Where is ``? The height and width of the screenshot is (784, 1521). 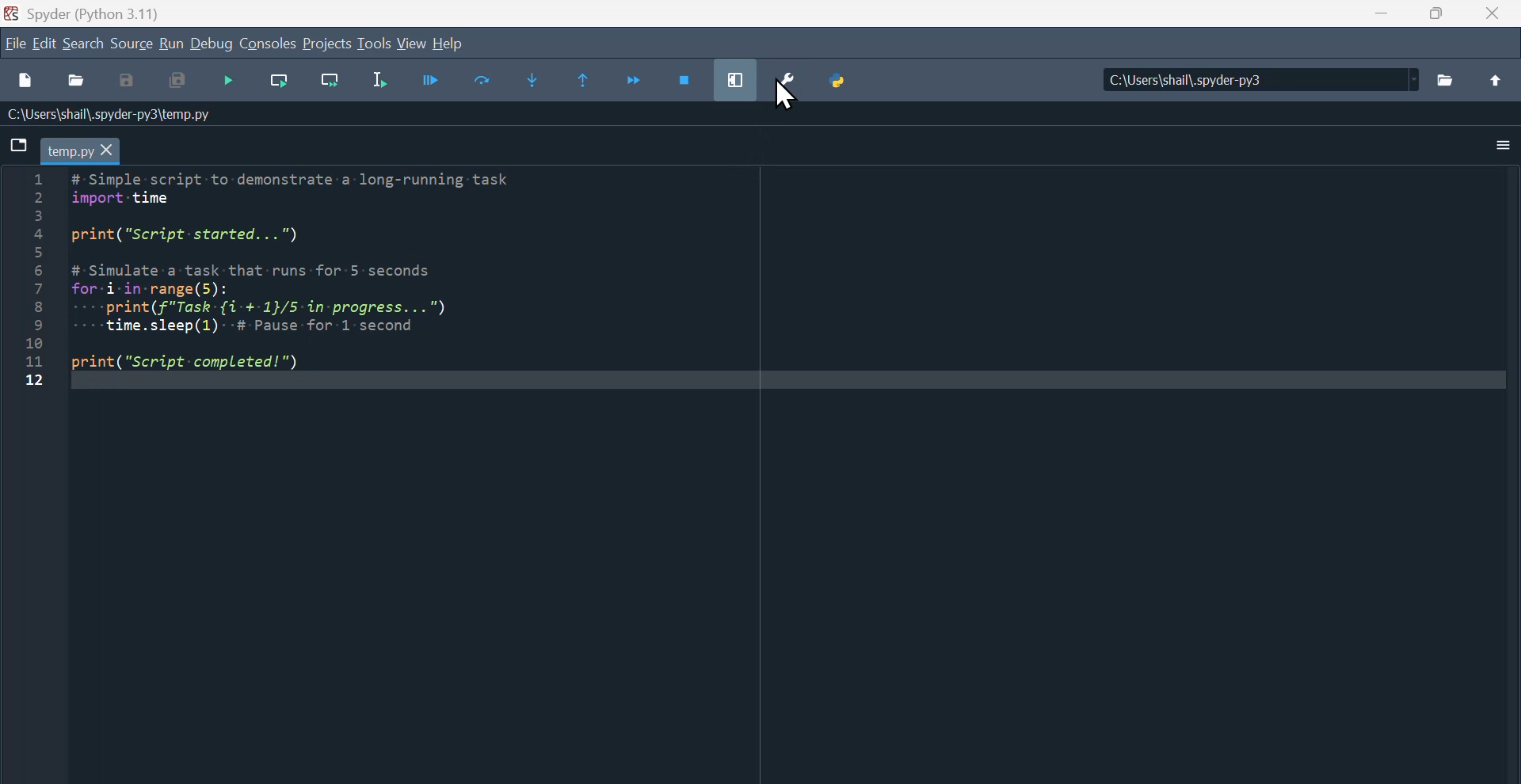  is located at coordinates (126, 82).